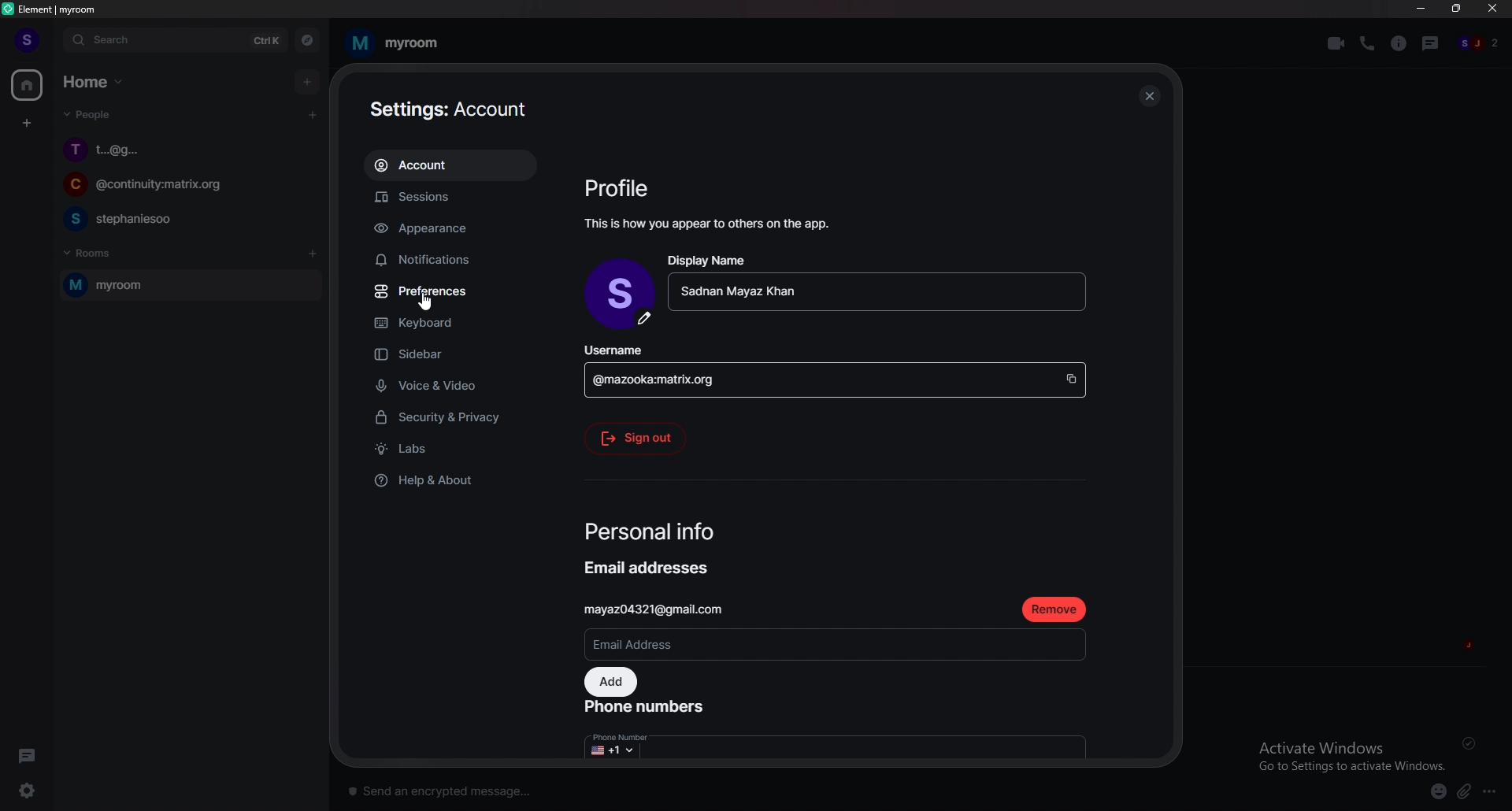 The image size is (1512, 811). Describe the element at coordinates (1432, 791) in the screenshot. I see `emoji` at that location.